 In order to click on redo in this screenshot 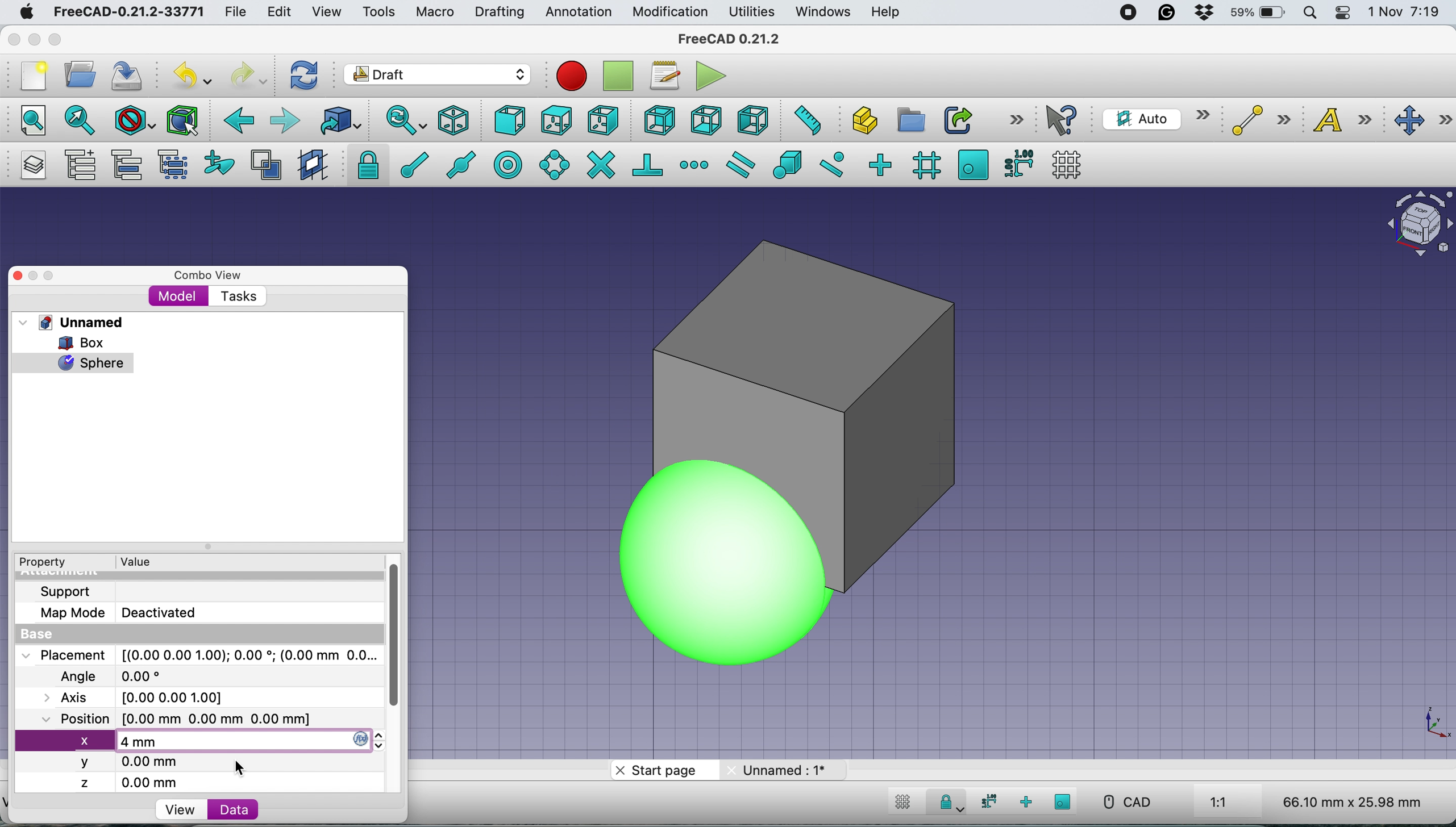, I will do `click(249, 74)`.